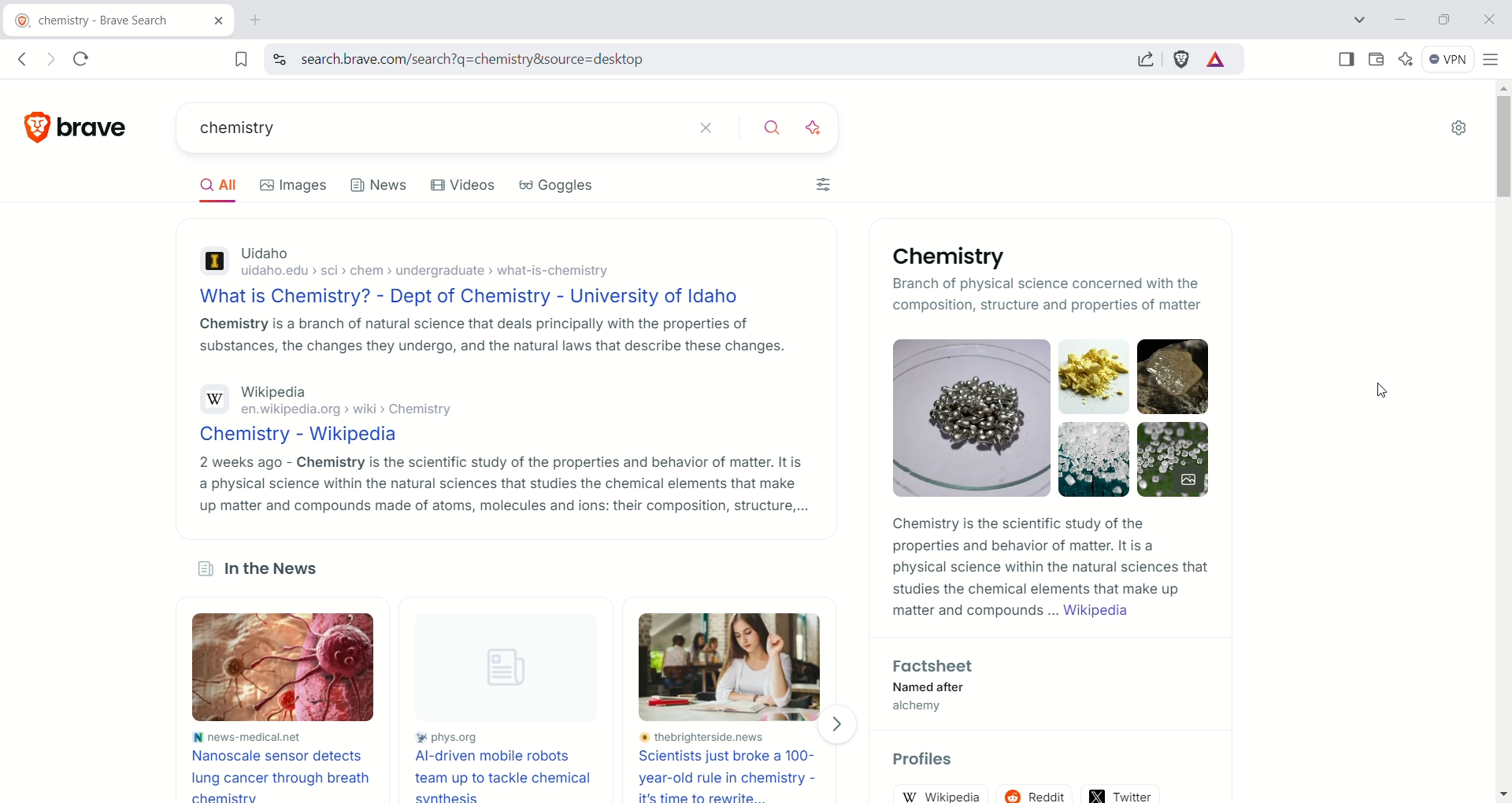 This screenshot has height=803, width=1512. What do you see at coordinates (380, 190) in the screenshot?
I see `News` at bounding box center [380, 190].